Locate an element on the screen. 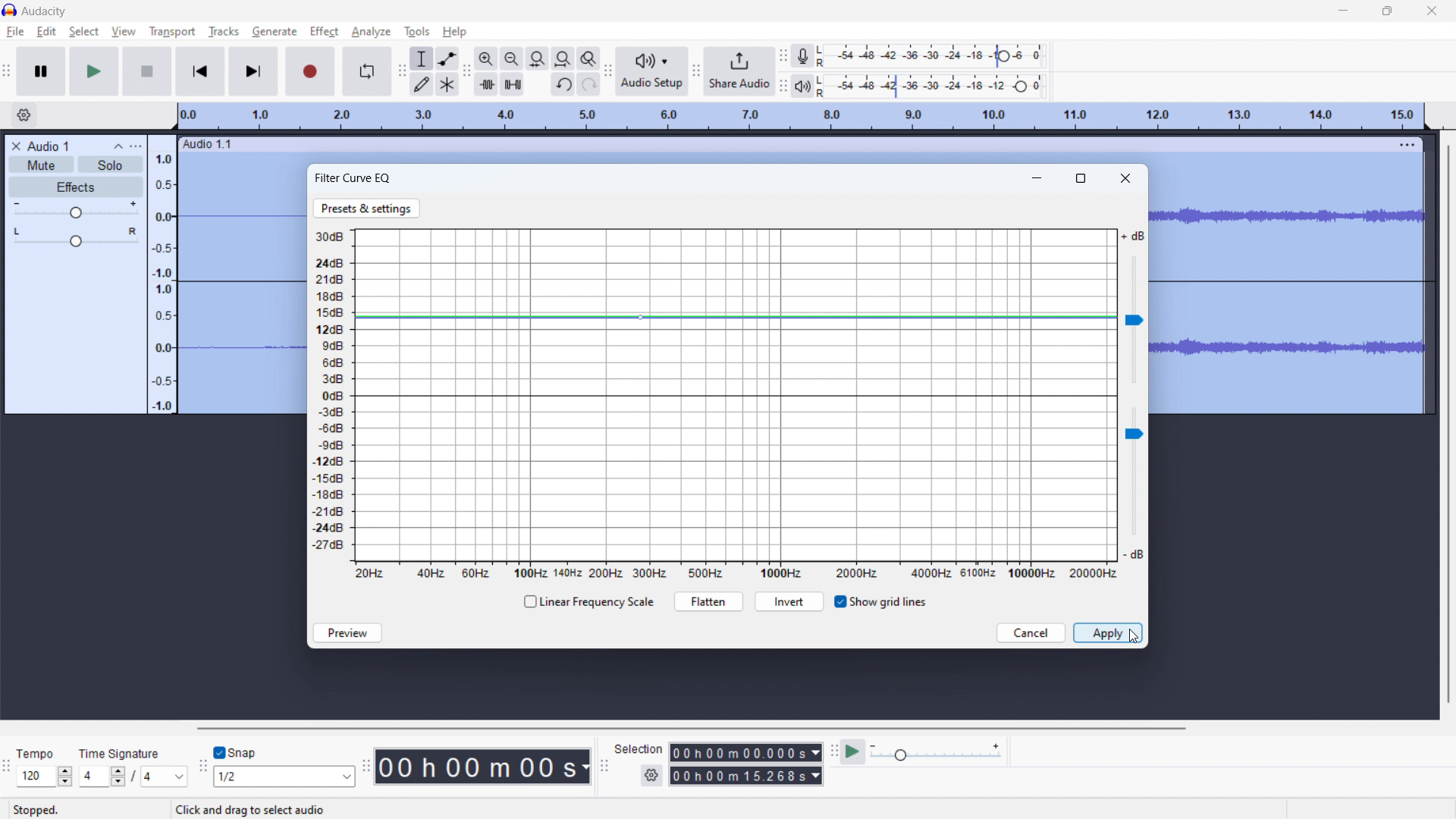 The height and width of the screenshot is (819, 1456). audio setup is located at coordinates (653, 71).